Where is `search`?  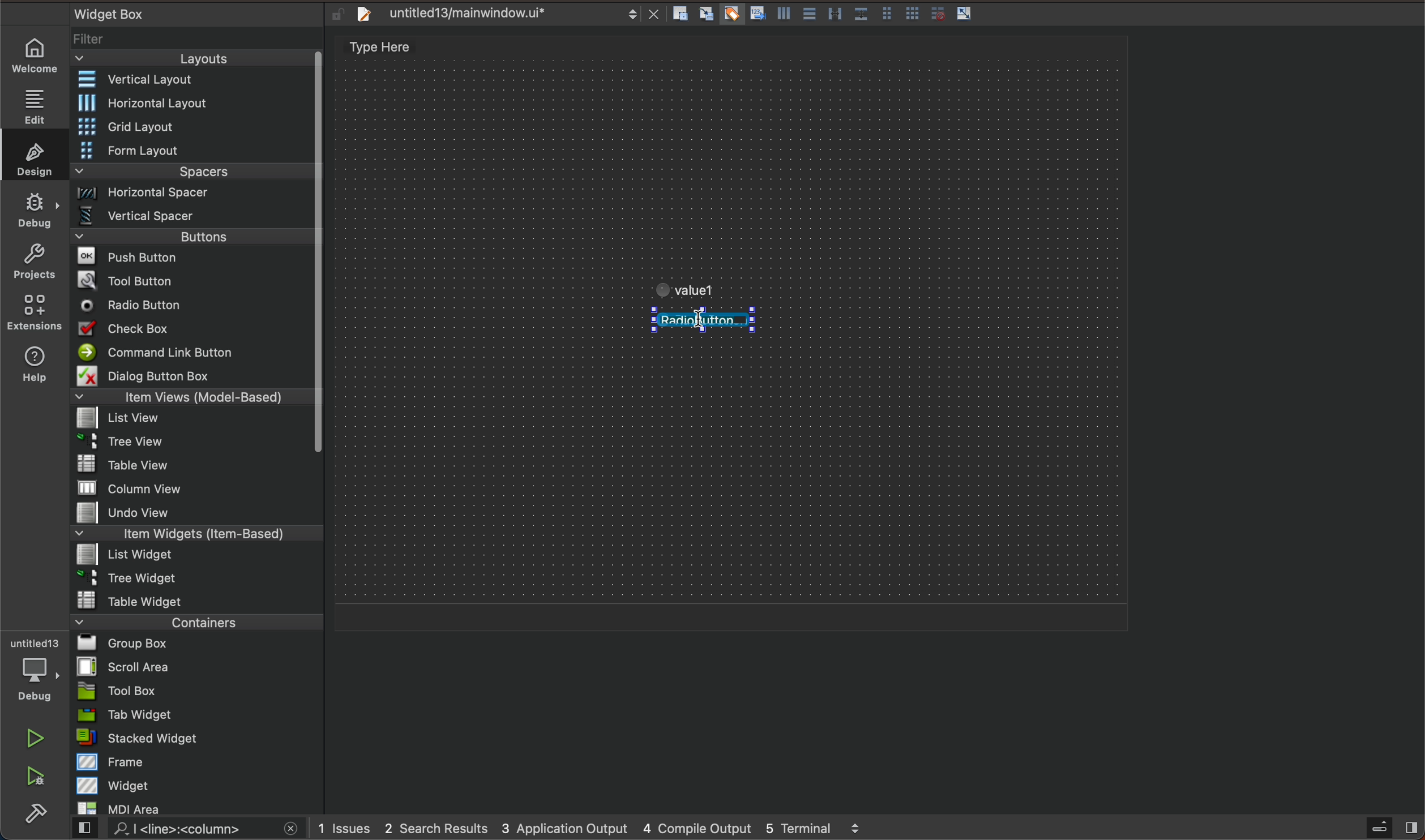
search is located at coordinates (183, 829).